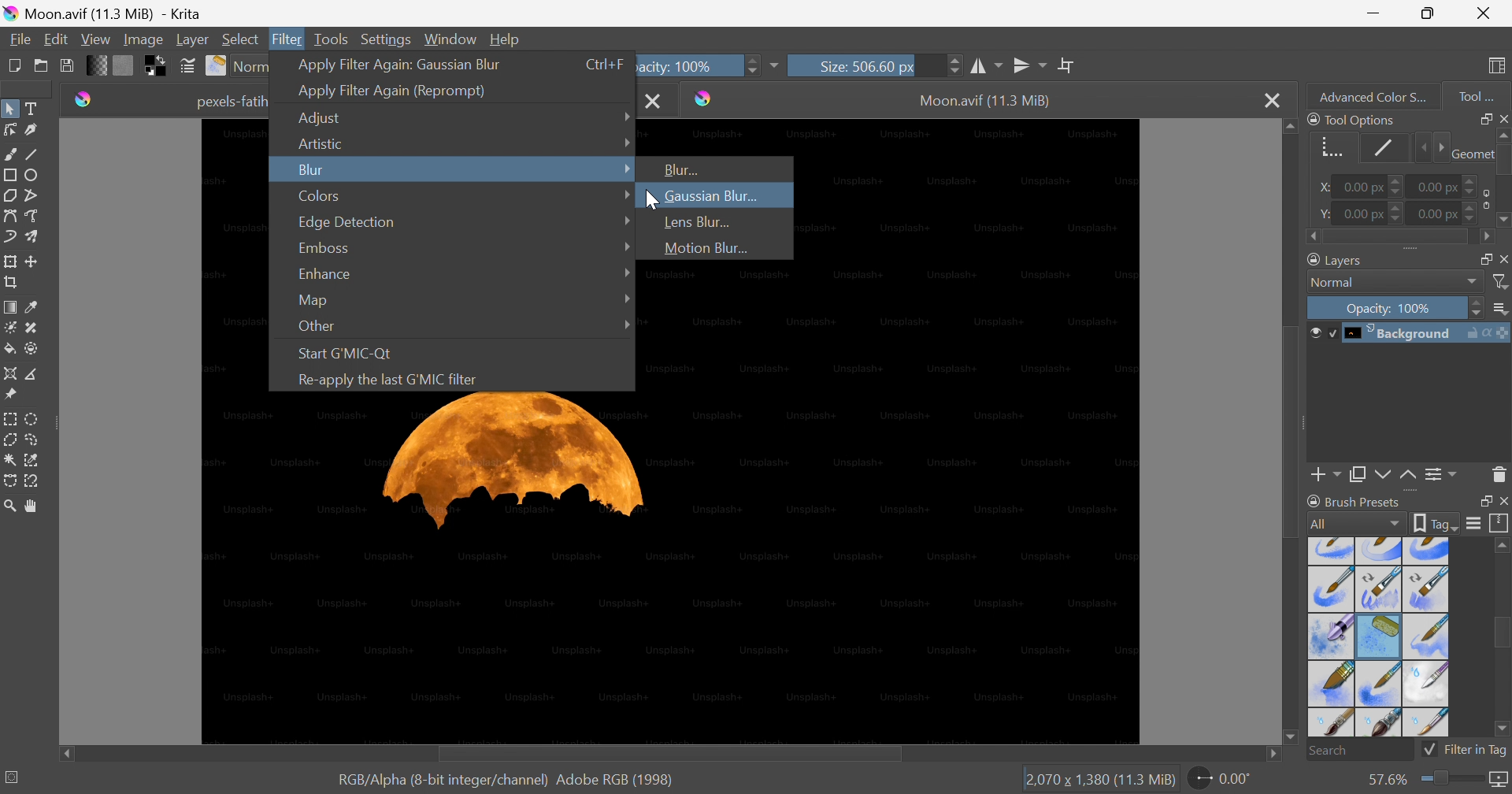  What do you see at coordinates (1289, 126) in the screenshot?
I see `Scroll up` at bounding box center [1289, 126].